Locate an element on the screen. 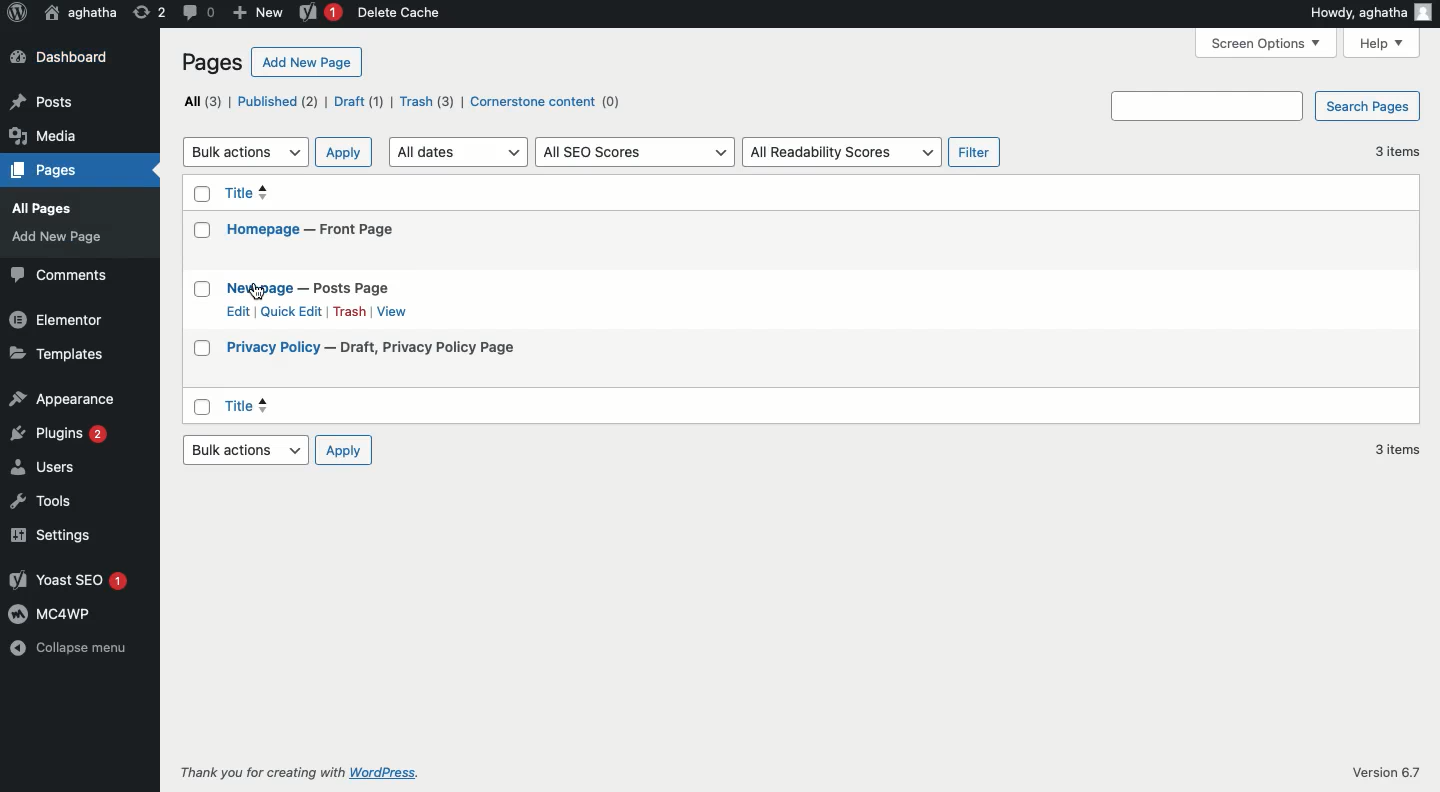 This screenshot has width=1440, height=792. Apply is located at coordinates (343, 152).